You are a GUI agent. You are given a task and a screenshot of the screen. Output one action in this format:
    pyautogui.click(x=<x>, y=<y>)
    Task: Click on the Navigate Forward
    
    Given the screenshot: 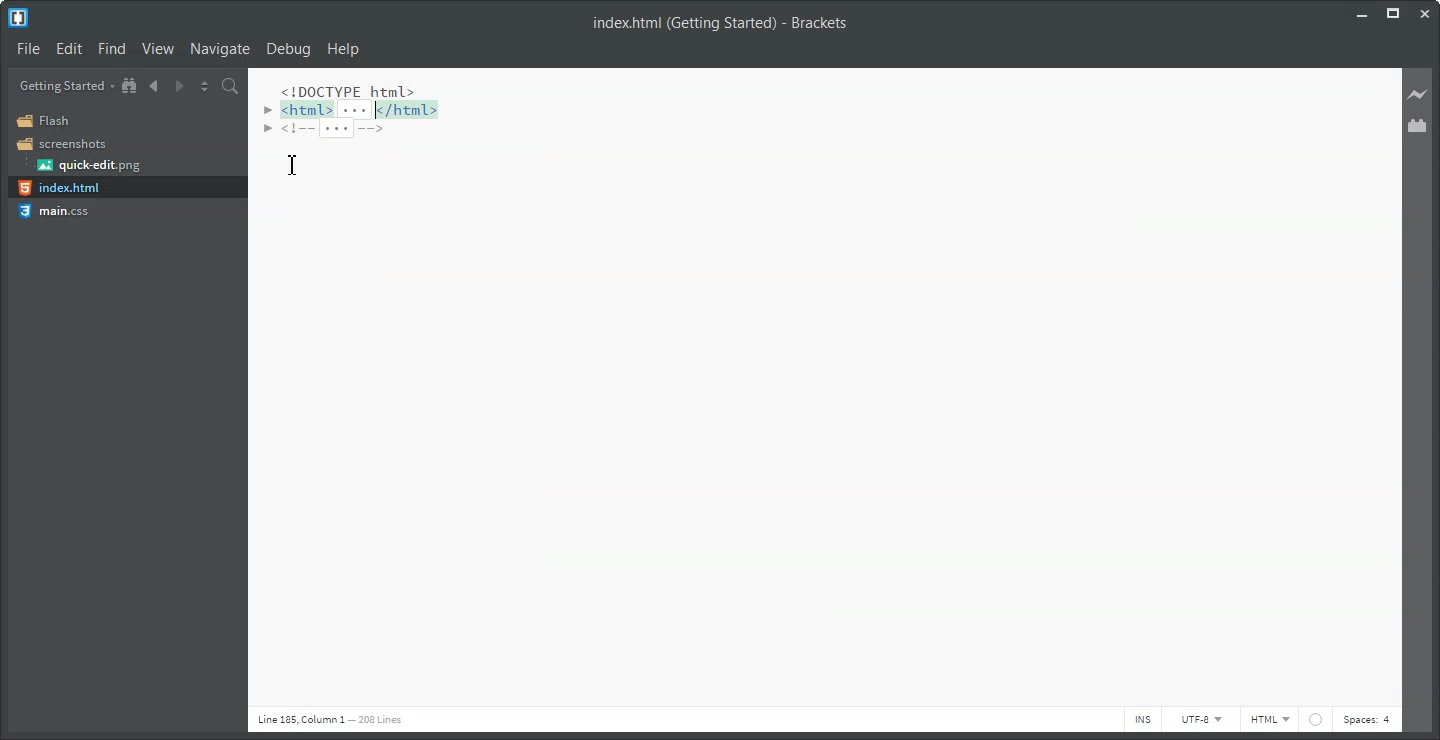 What is the action you would take?
    pyautogui.click(x=179, y=86)
    